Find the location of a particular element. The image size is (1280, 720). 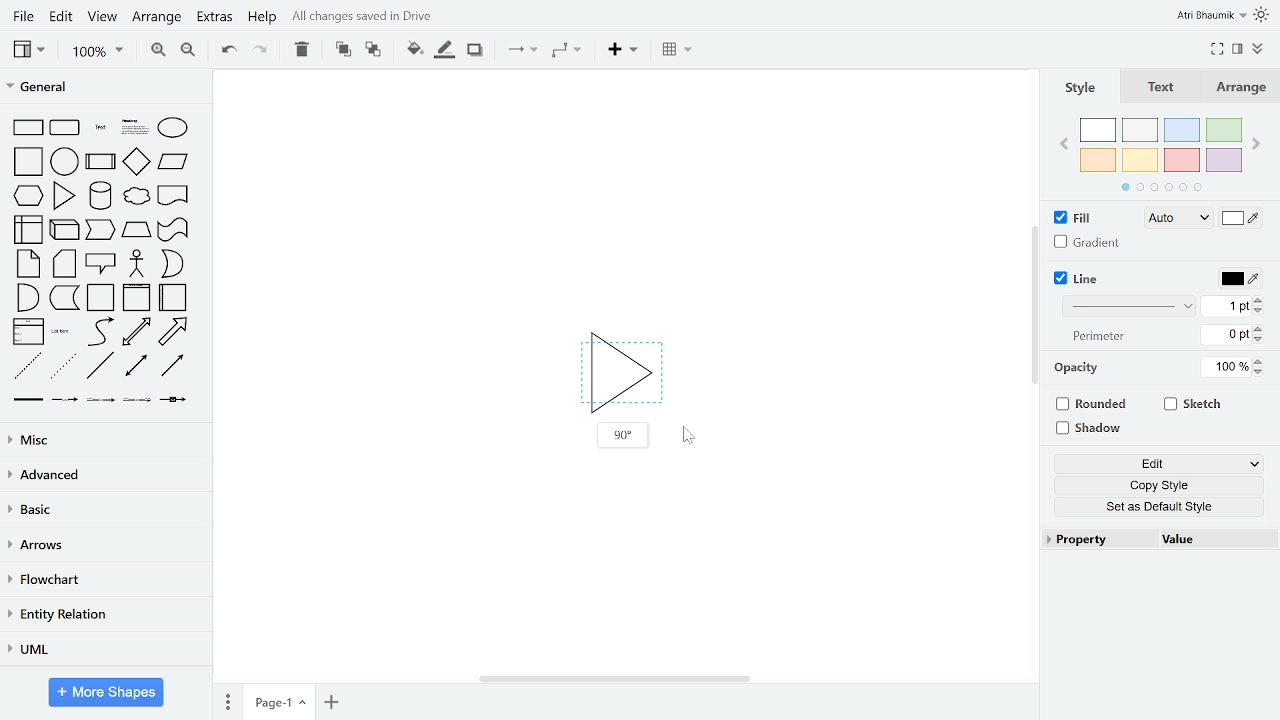

opacity is located at coordinates (1079, 368).